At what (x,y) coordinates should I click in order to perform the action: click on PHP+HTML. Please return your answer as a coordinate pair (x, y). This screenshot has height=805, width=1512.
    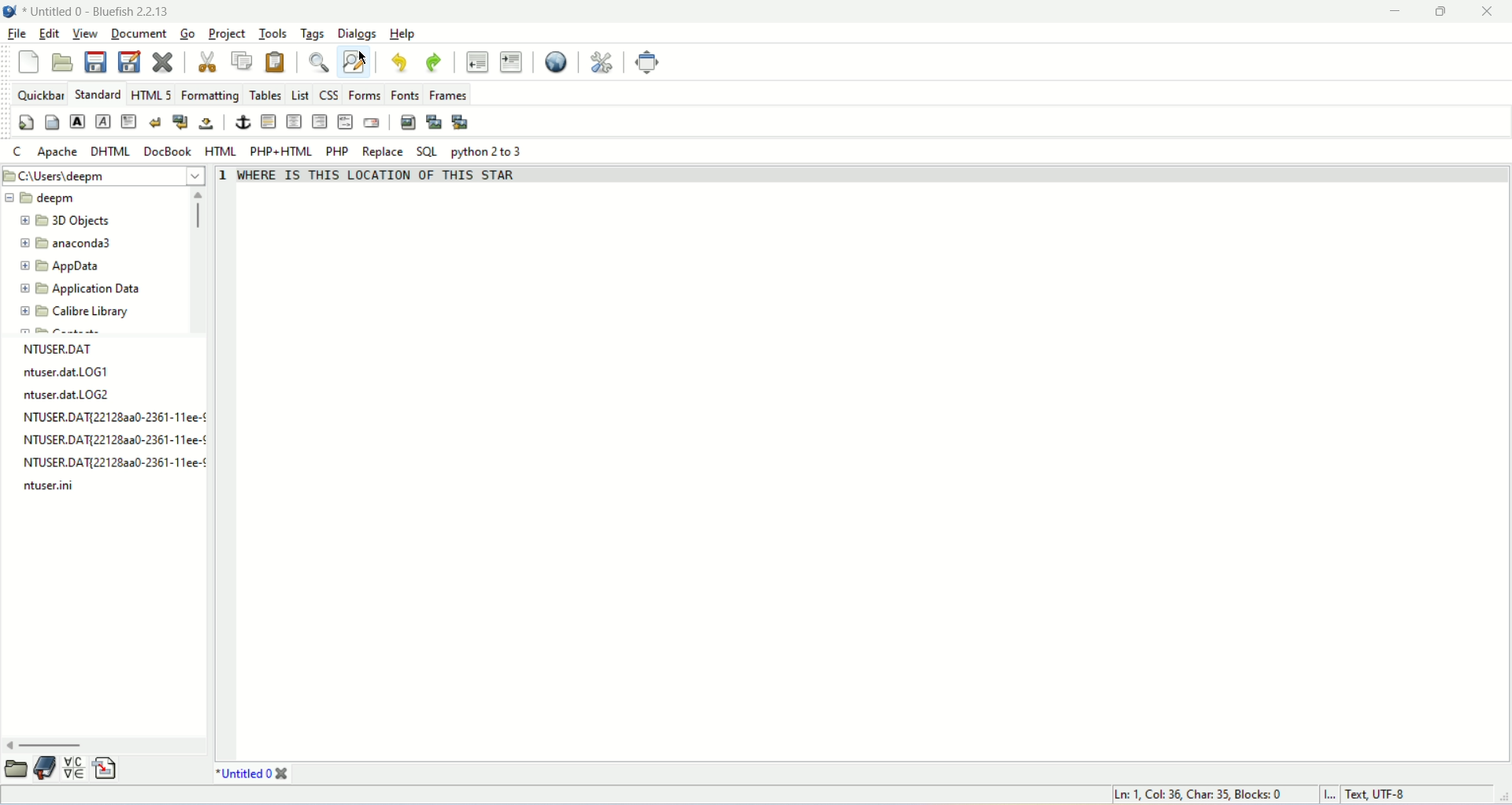
    Looking at the image, I should click on (281, 152).